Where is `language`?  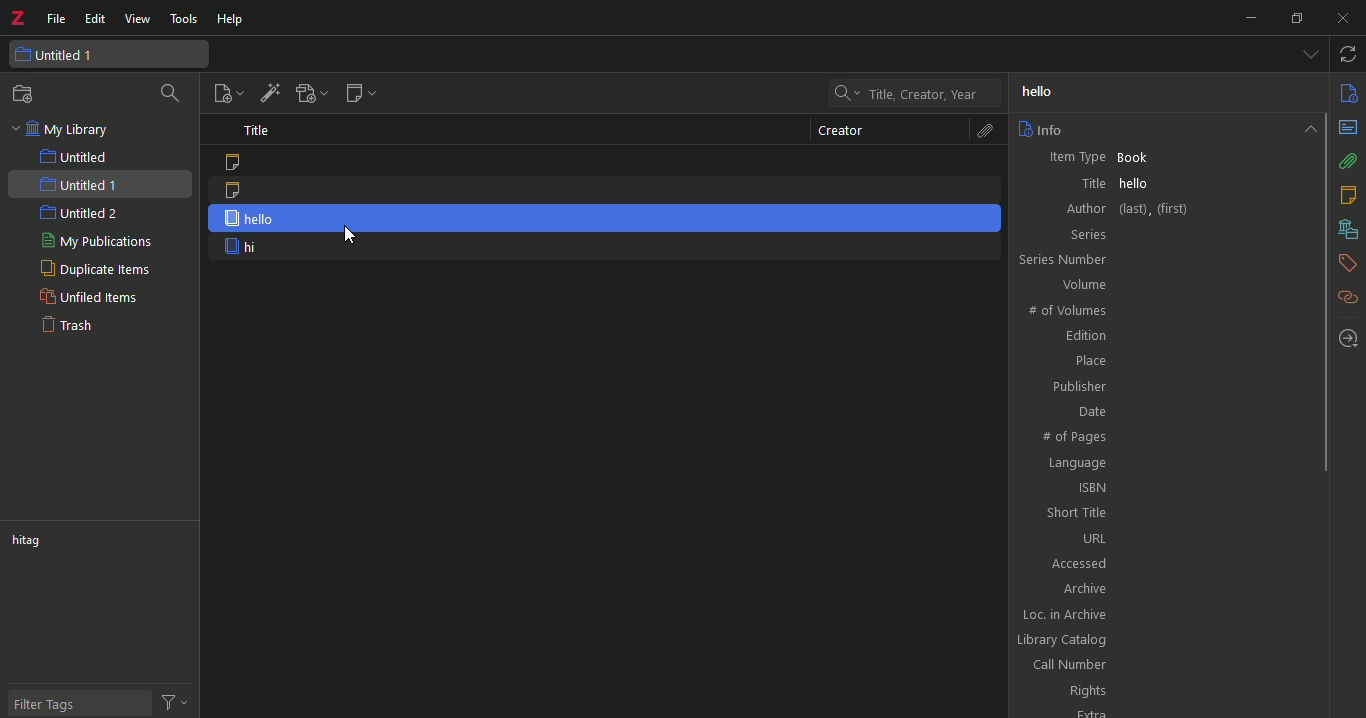
language is located at coordinates (1081, 462).